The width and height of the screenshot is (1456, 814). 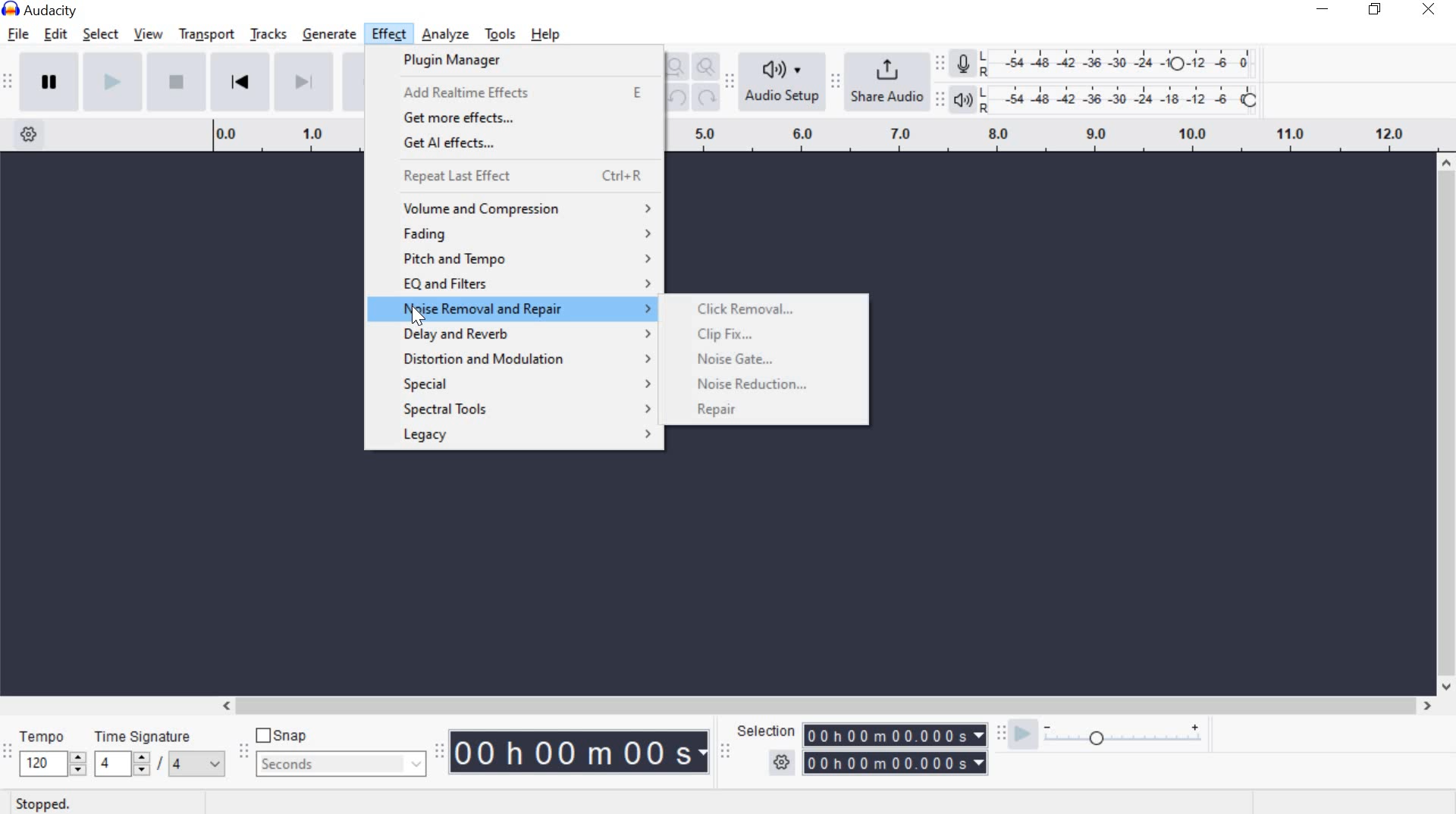 I want to click on selection, so click(x=766, y=729).